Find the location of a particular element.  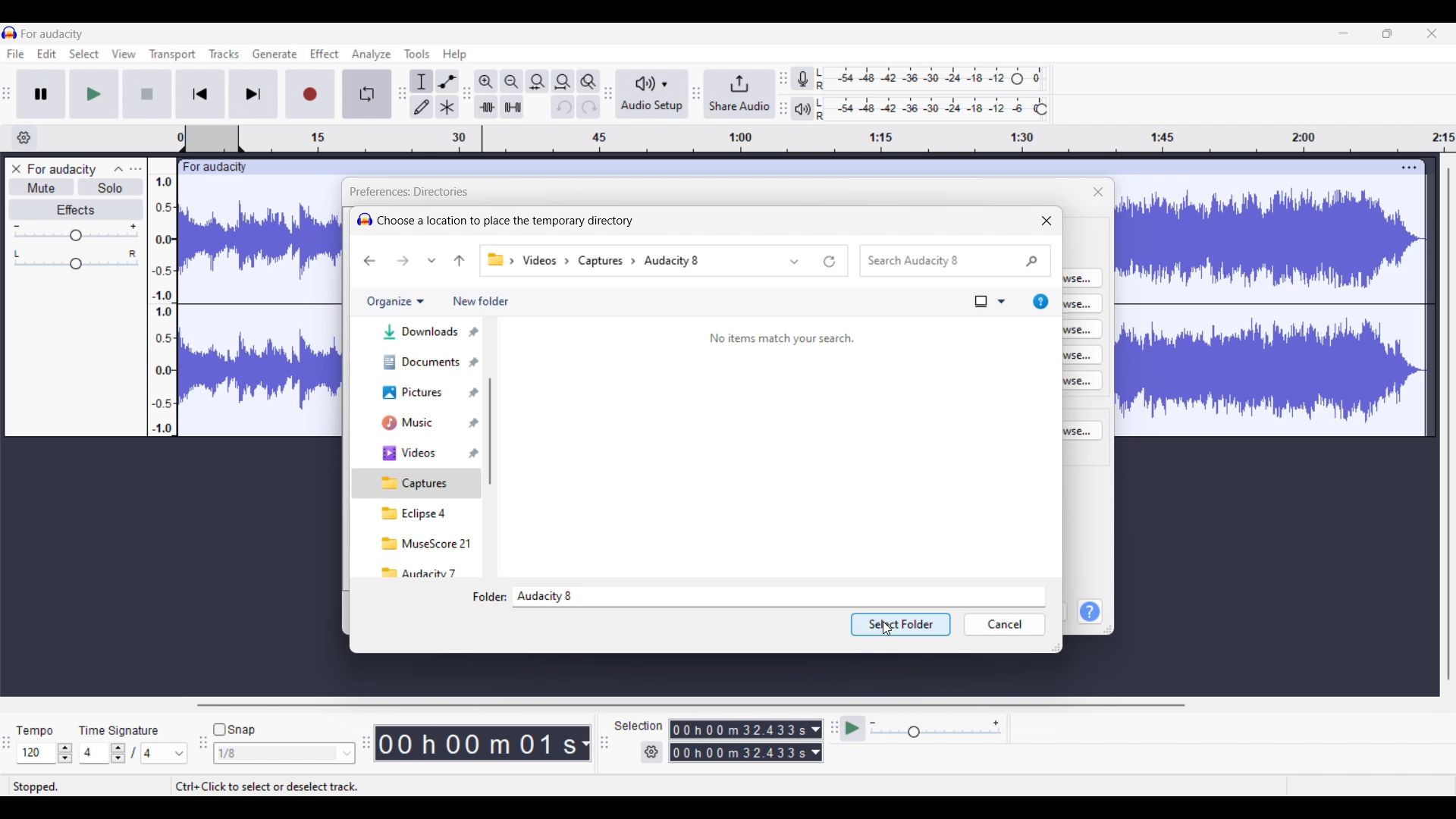

Help is located at coordinates (1090, 611).